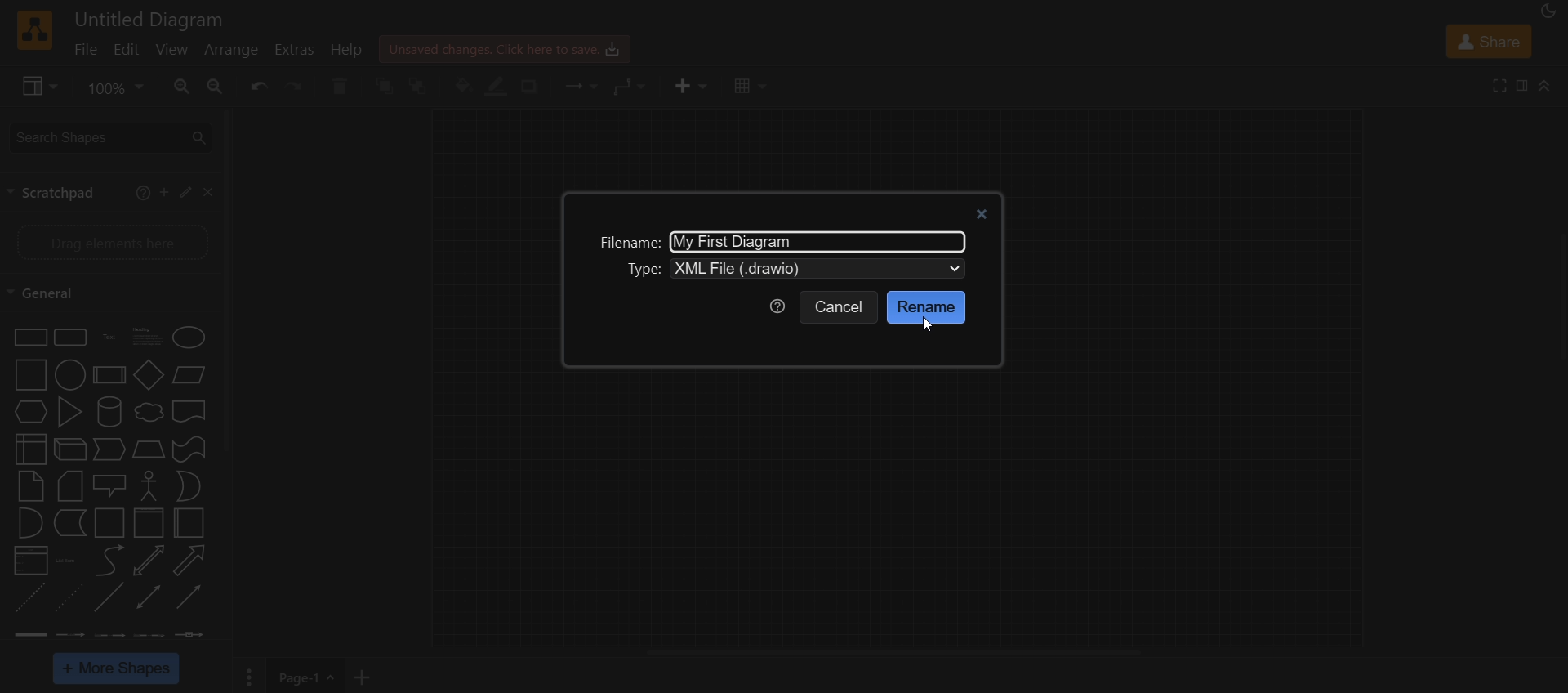 The height and width of the screenshot is (693, 1568). Describe the element at coordinates (232, 50) in the screenshot. I see `arrange` at that location.